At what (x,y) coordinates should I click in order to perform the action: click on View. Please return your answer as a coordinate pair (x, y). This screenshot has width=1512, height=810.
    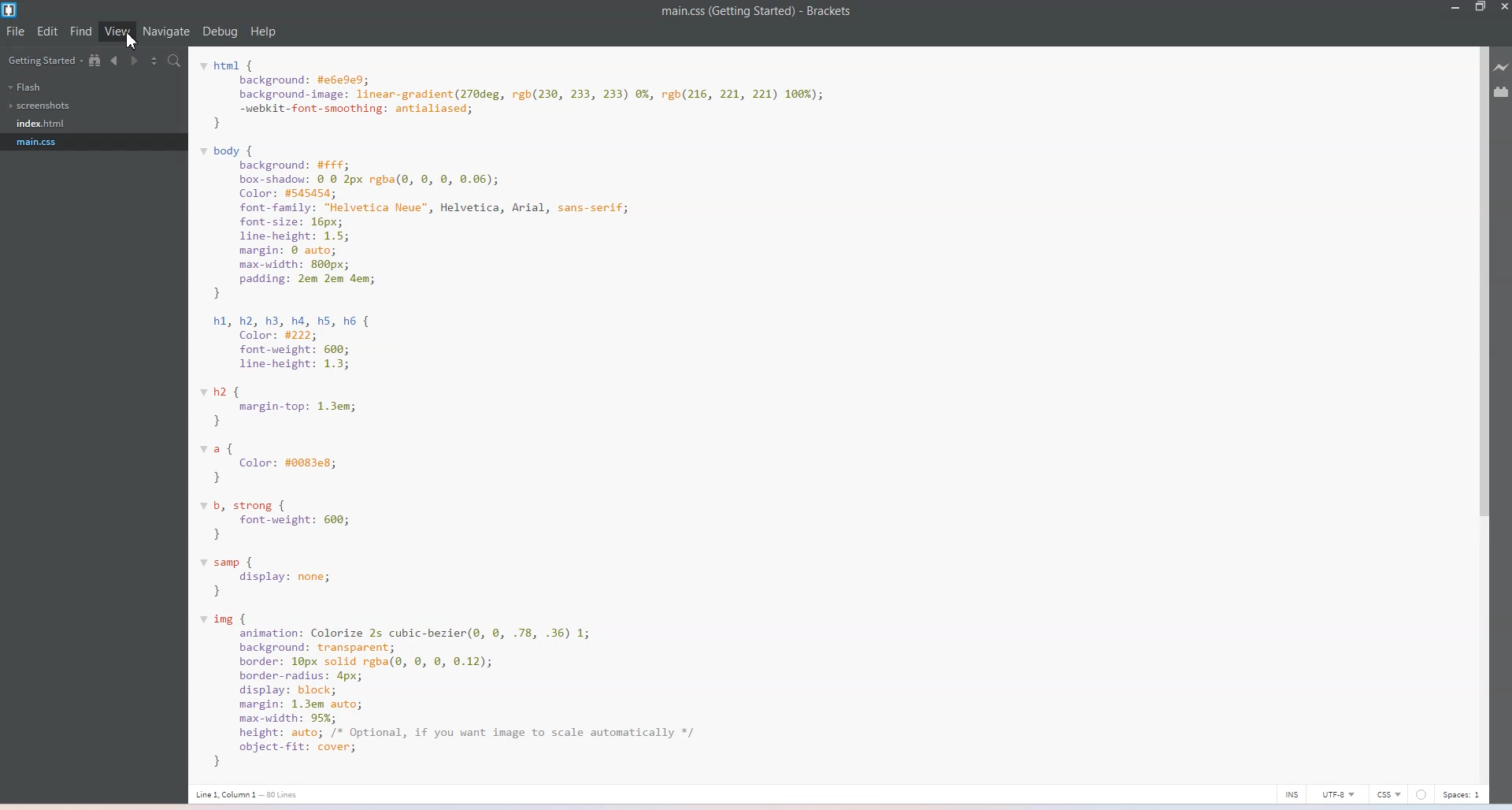
    Looking at the image, I should click on (117, 31).